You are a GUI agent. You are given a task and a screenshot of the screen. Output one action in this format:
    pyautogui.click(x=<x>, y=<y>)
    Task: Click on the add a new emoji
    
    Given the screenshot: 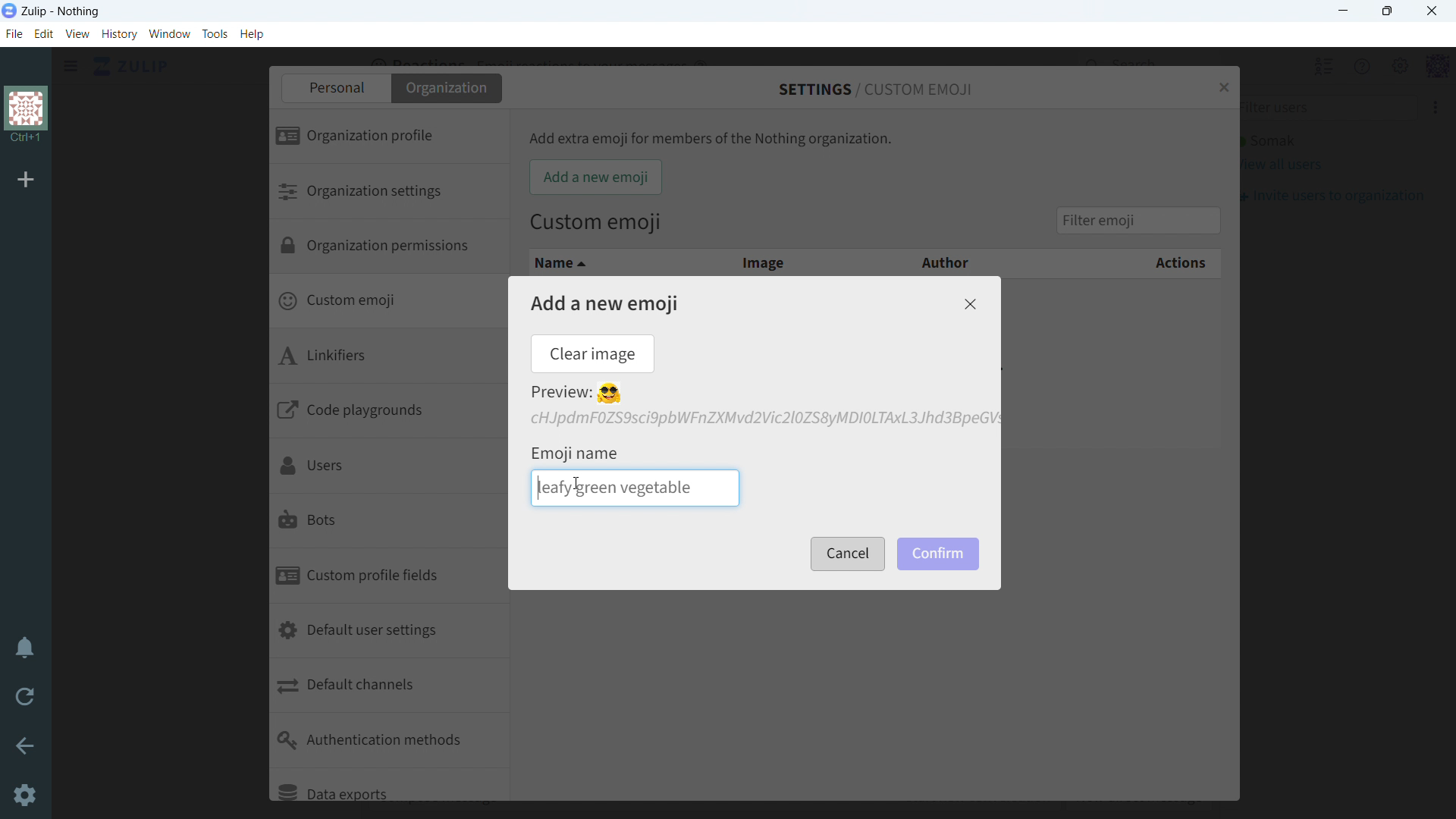 What is the action you would take?
    pyautogui.click(x=595, y=177)
    